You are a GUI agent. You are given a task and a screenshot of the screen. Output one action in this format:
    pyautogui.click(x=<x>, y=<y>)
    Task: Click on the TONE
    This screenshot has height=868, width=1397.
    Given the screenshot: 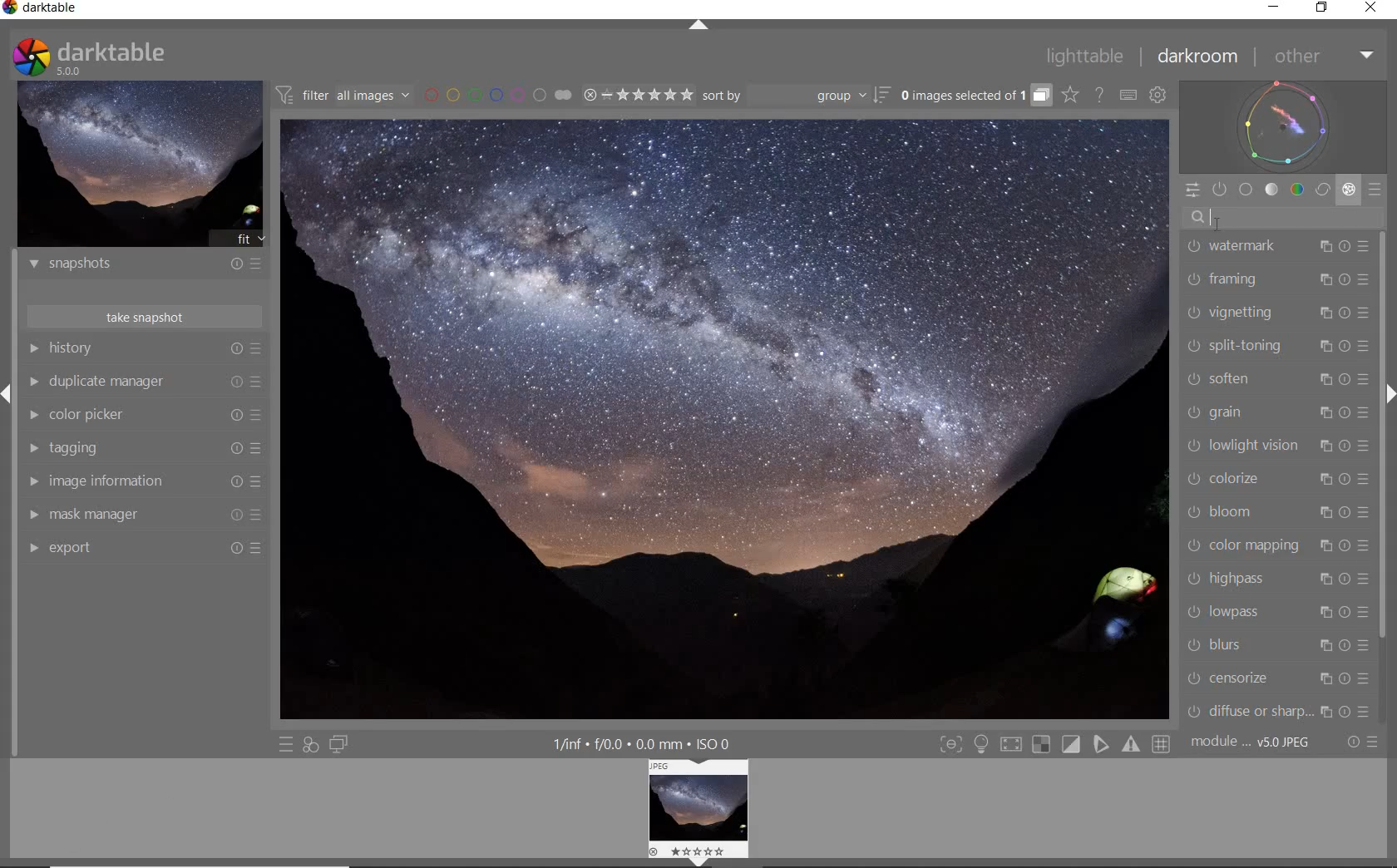 What is the action you would take?
    pyautogui.click(x=1272, y=191)
    